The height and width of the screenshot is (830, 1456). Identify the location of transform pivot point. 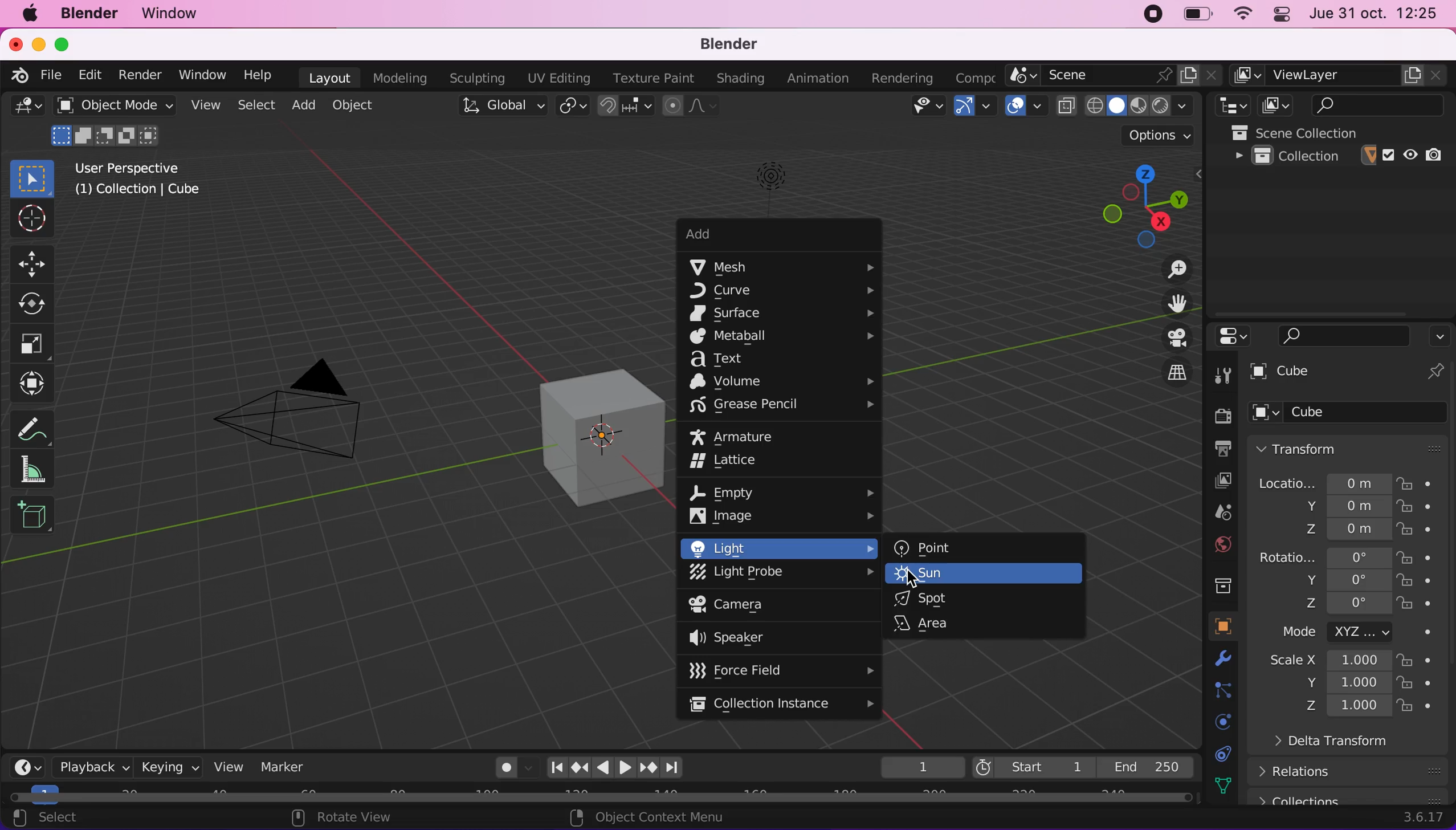
(570, 107).